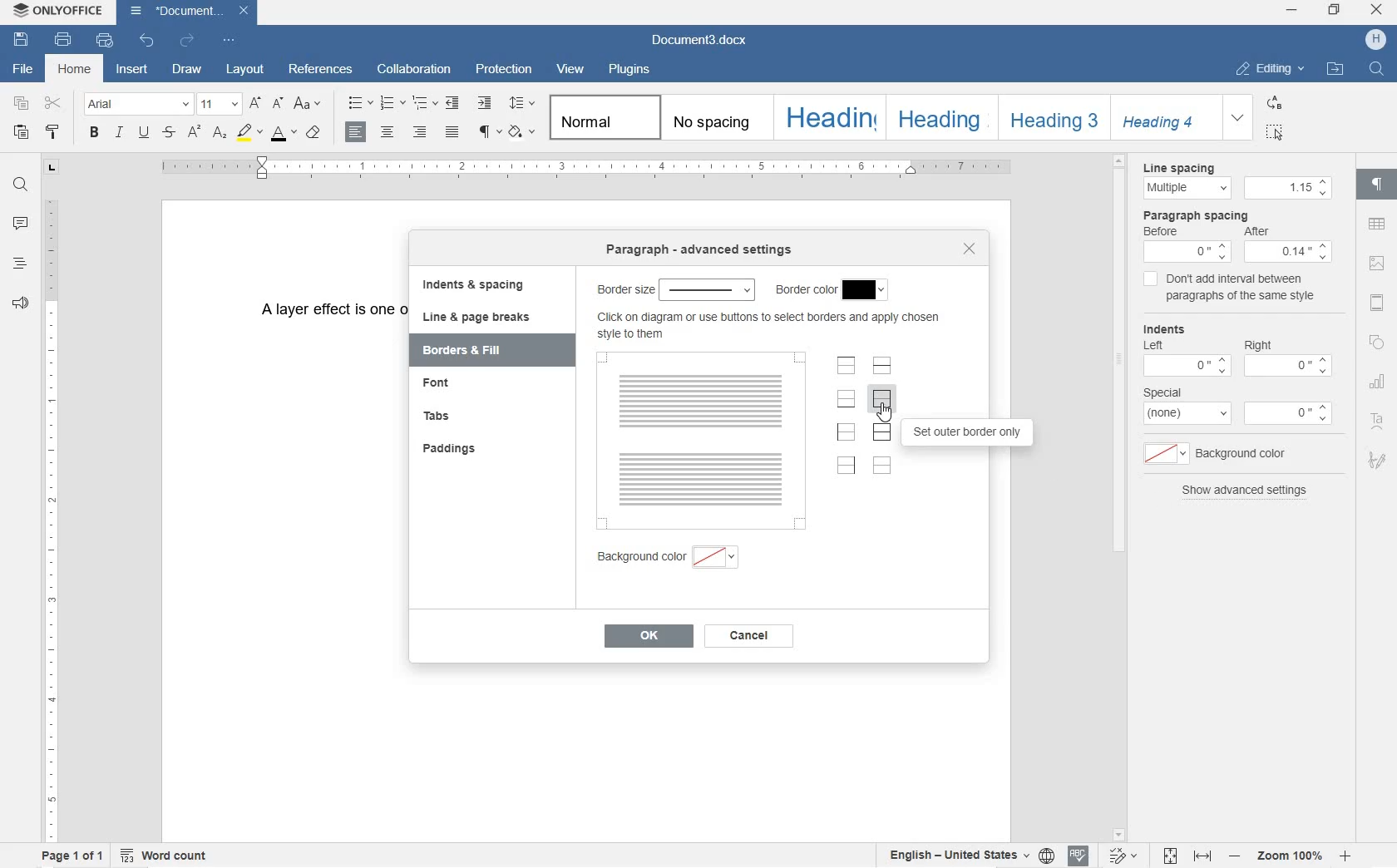 Image resolution: width=1397 pixels, height=868 pixels. I want to click on NUMBERING, so click(392, 101).